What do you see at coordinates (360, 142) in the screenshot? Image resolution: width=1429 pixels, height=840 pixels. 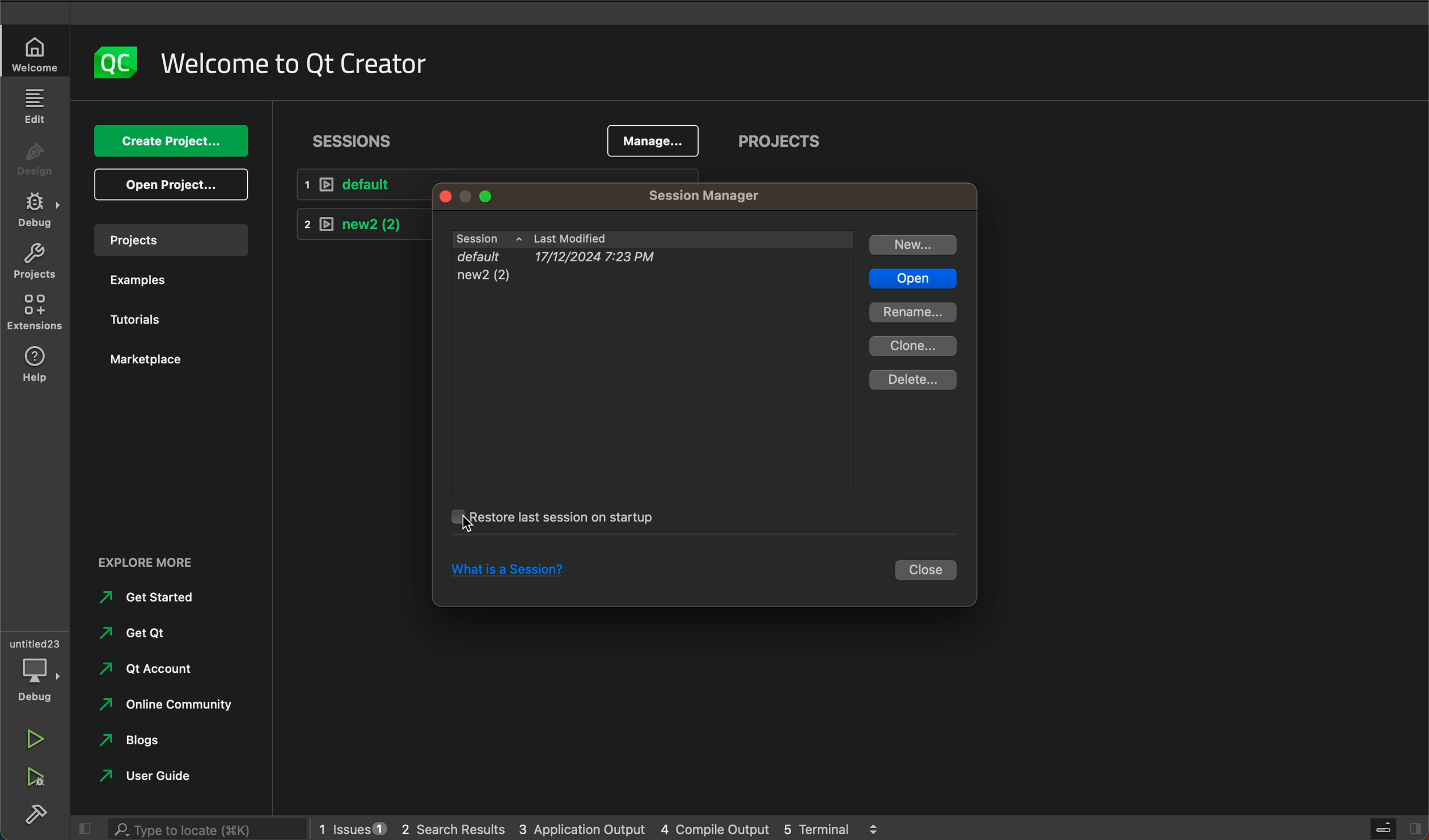 I see `sessions` at bounding box center [360, 142].